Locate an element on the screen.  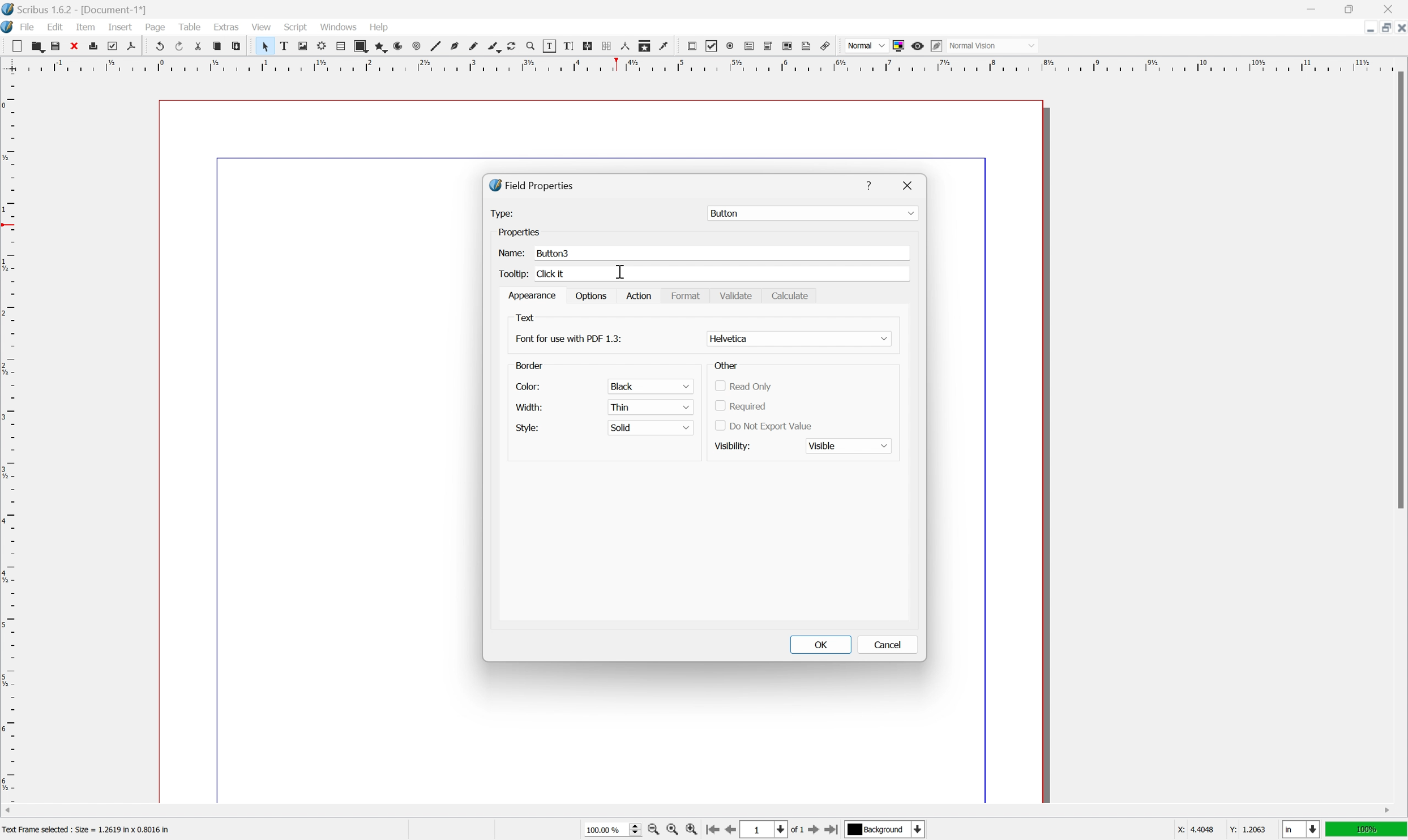
paste is located at coordinates (237, 46).